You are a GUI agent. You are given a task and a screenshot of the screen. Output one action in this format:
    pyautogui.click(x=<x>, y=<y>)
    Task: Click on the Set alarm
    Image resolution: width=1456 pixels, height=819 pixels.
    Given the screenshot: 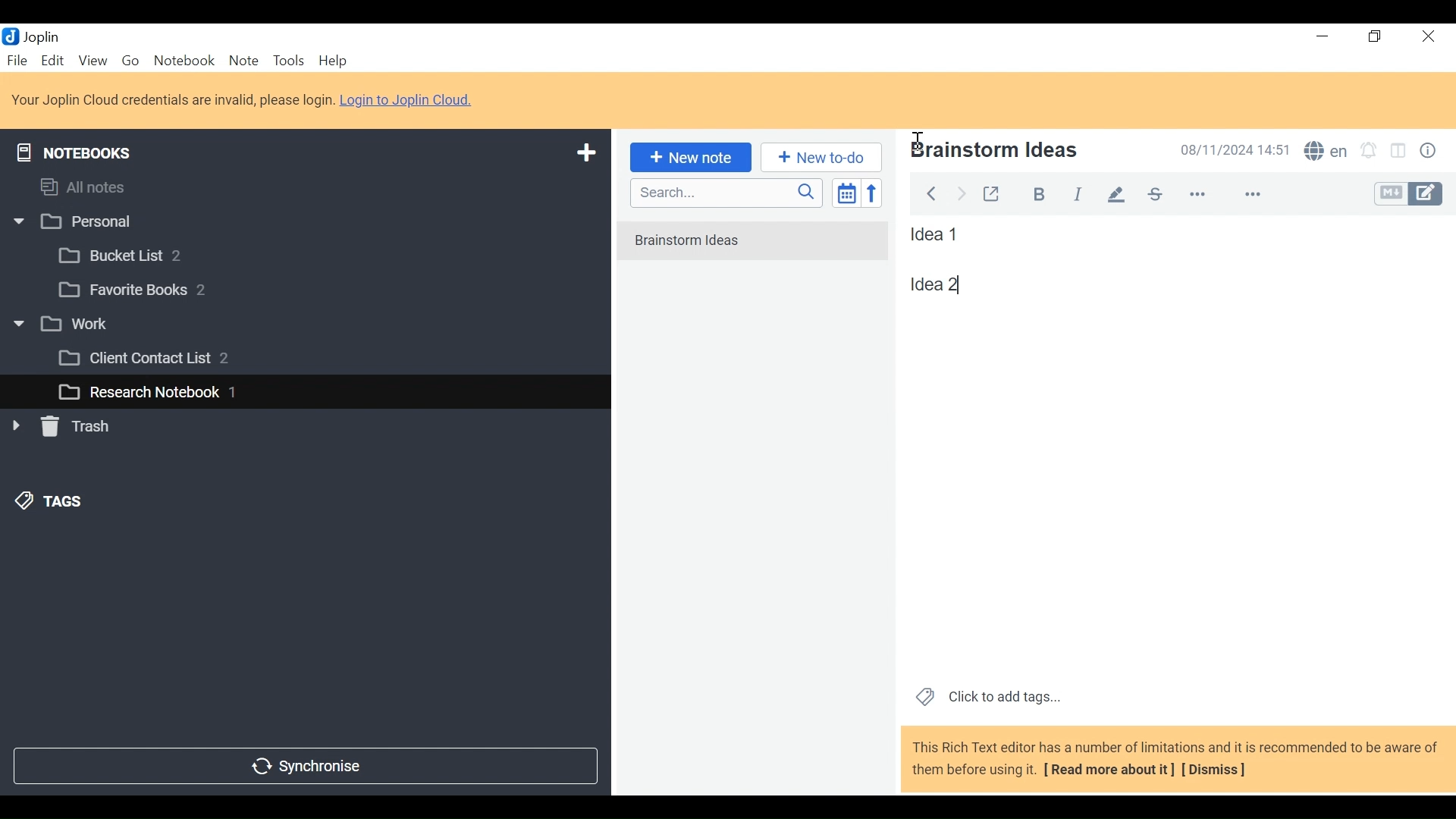 What is the action you would take?
    pyautogui.click(x=1369, y=152)
    